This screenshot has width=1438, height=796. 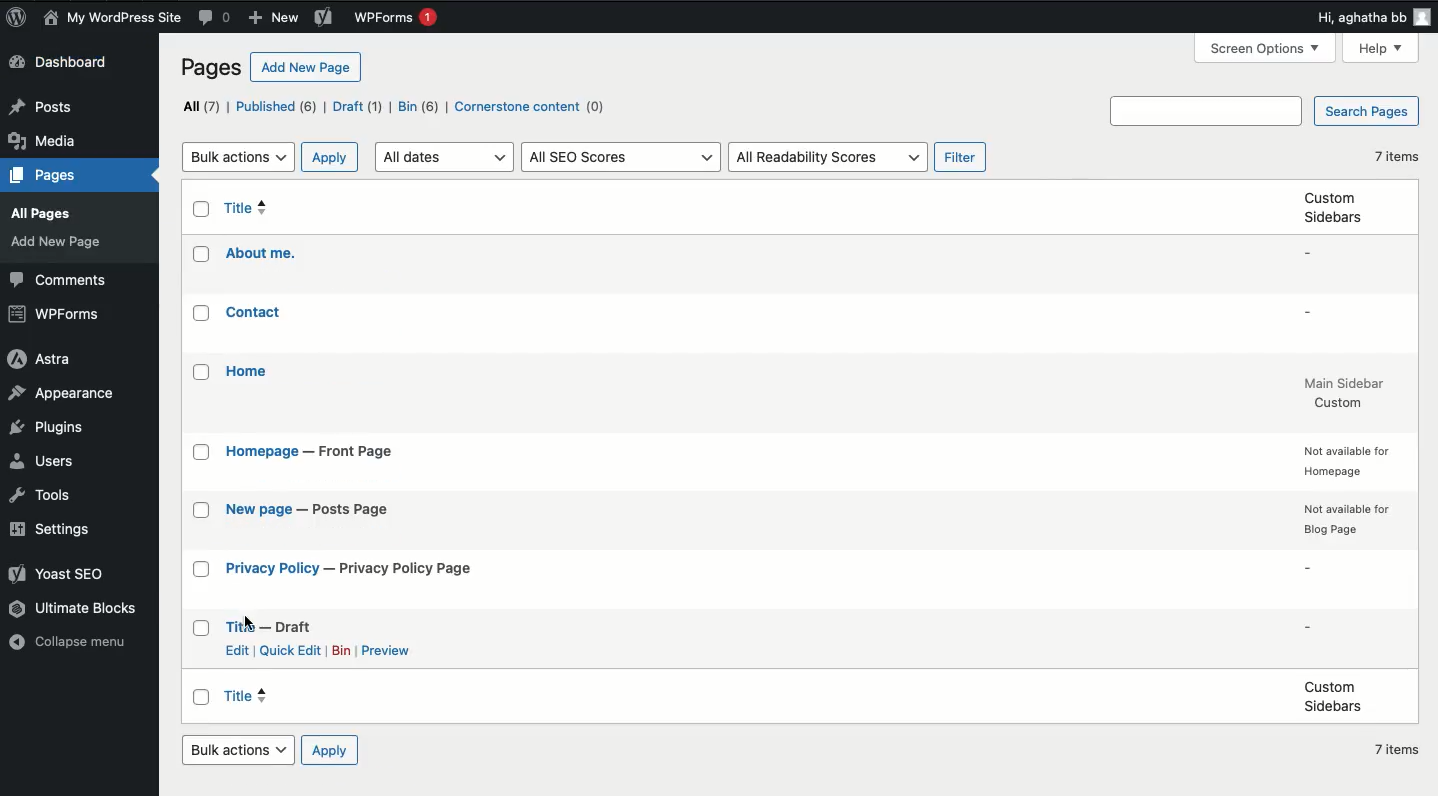 What do you see at coordinates (1343, 461) in the screenshot?
I see `not available` at bounding box center [1343, 461].